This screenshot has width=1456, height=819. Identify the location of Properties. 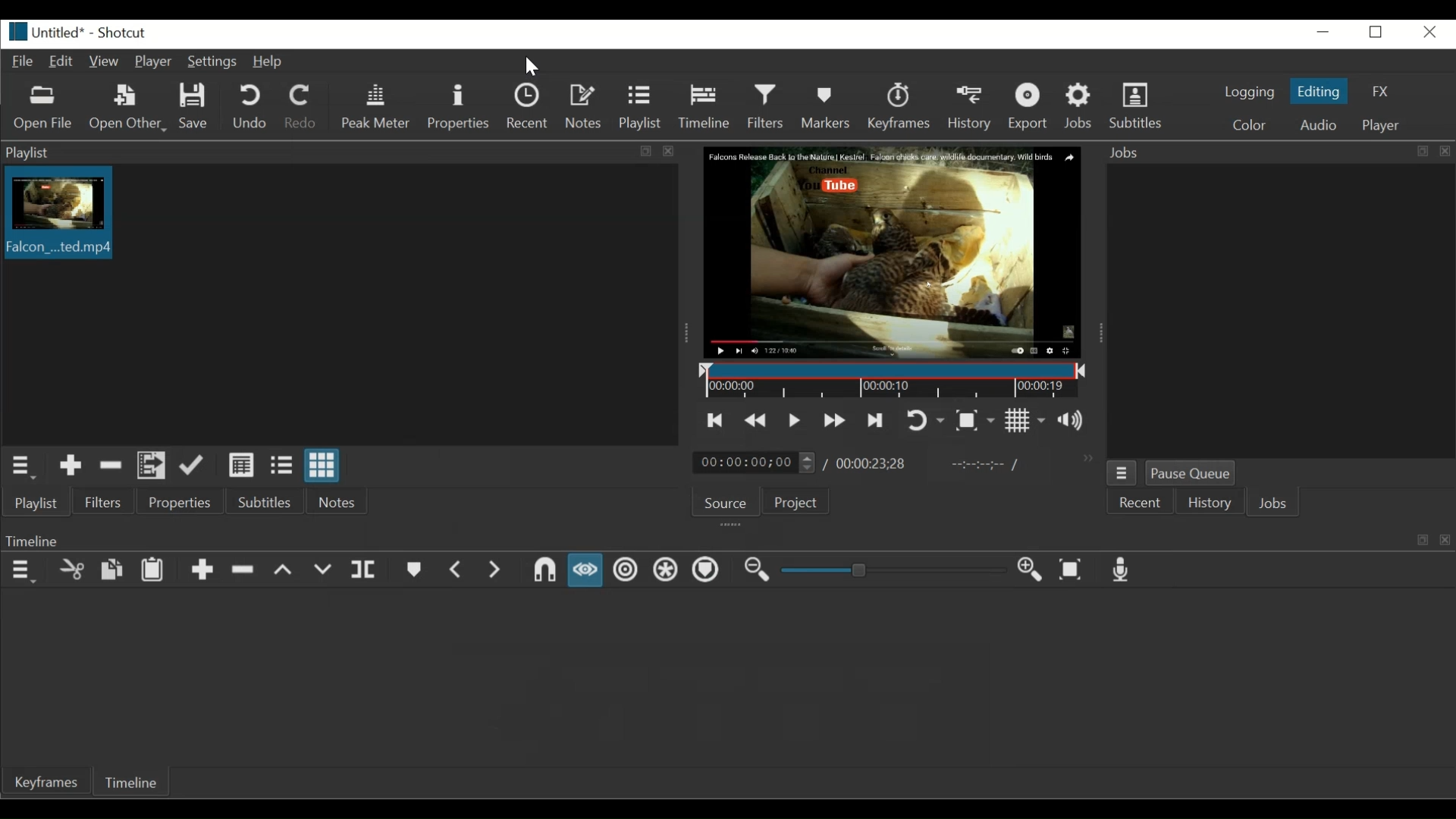
(179, 501).